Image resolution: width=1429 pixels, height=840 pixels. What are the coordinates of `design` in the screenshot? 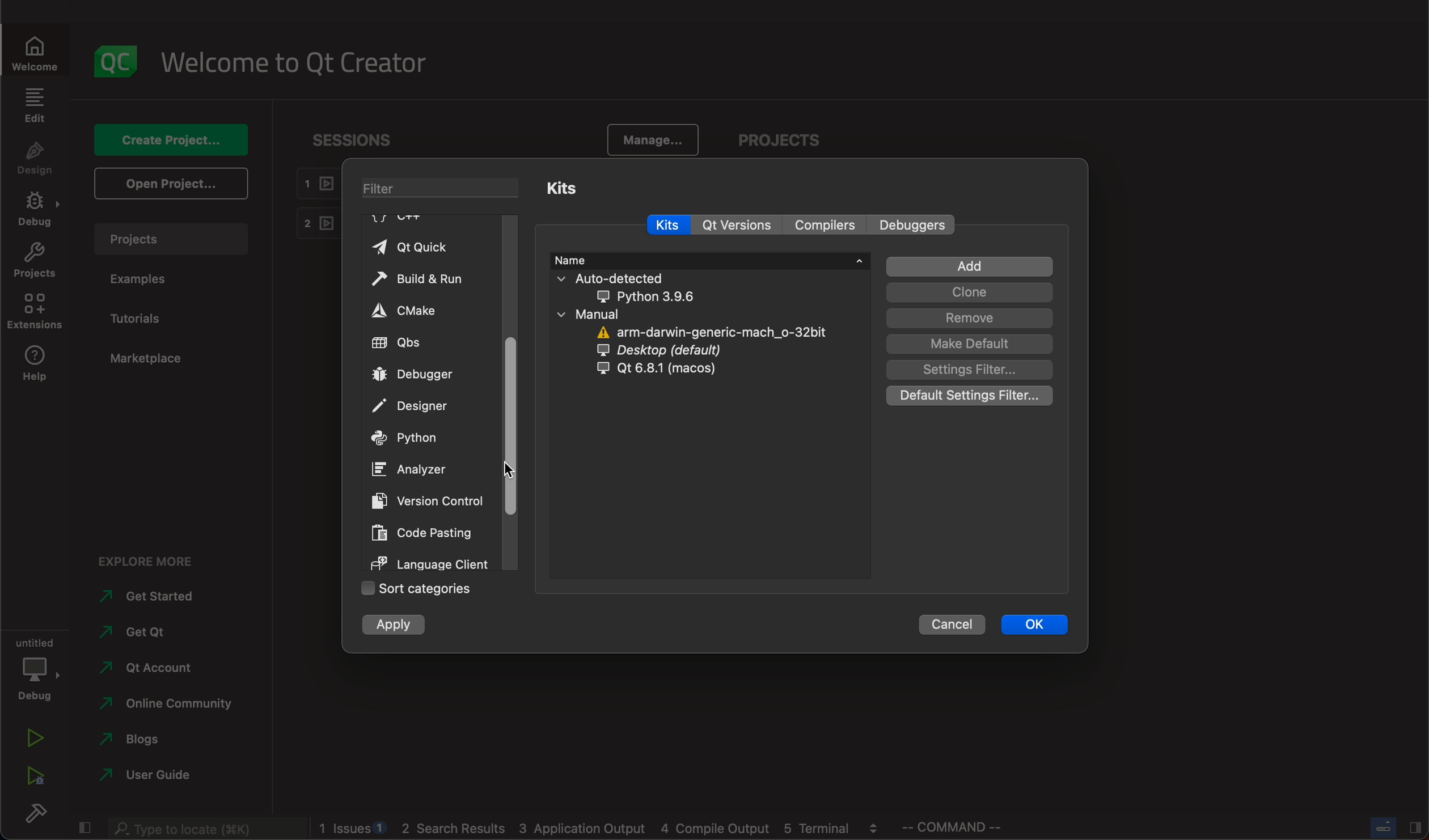 It's located at (31, 159).